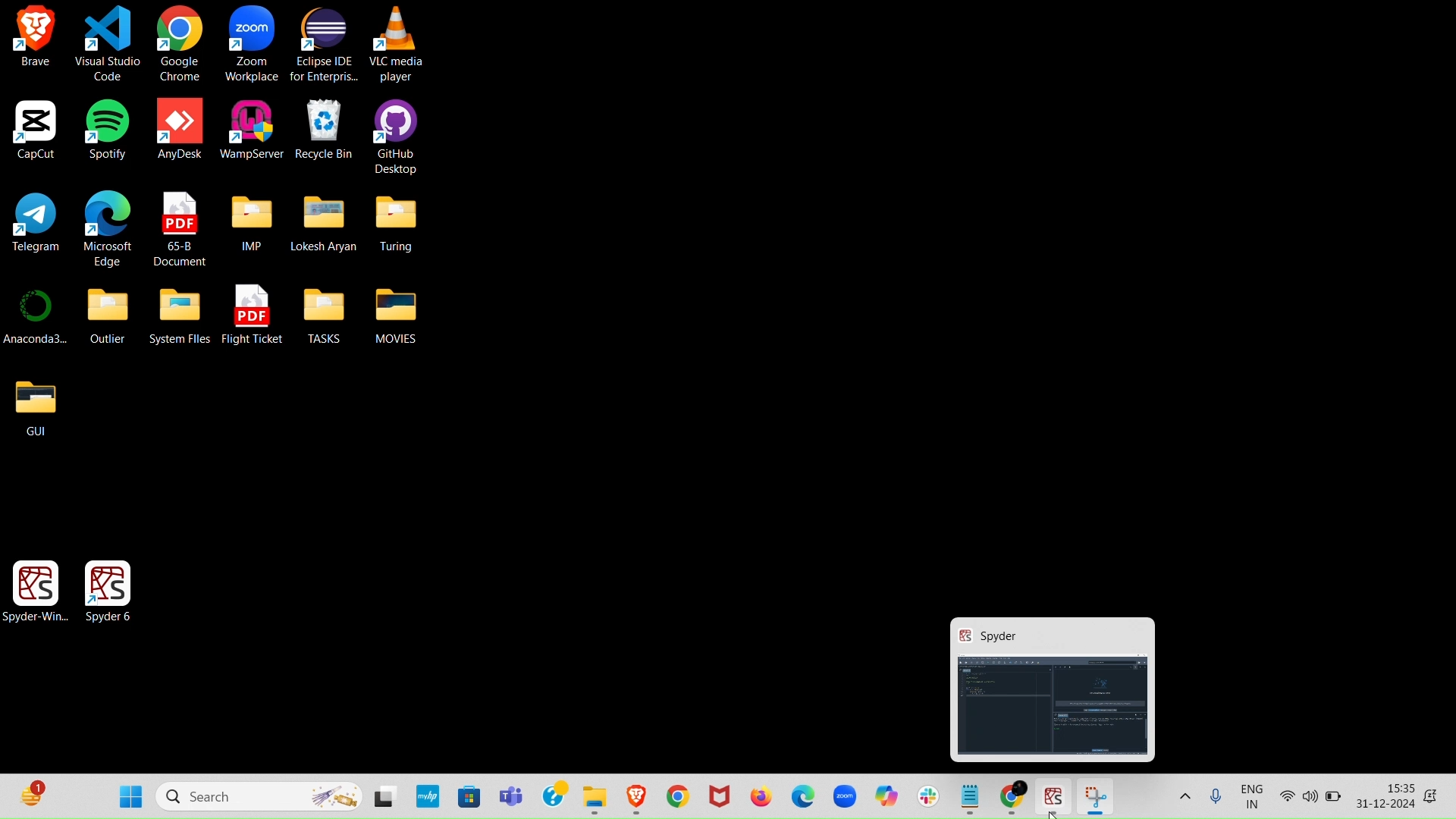 The height and width of the screenshot is (819, 1456). Describe the element at coordinates (253, 45) in the screenshot. I see `Zoom workplace` at that location.